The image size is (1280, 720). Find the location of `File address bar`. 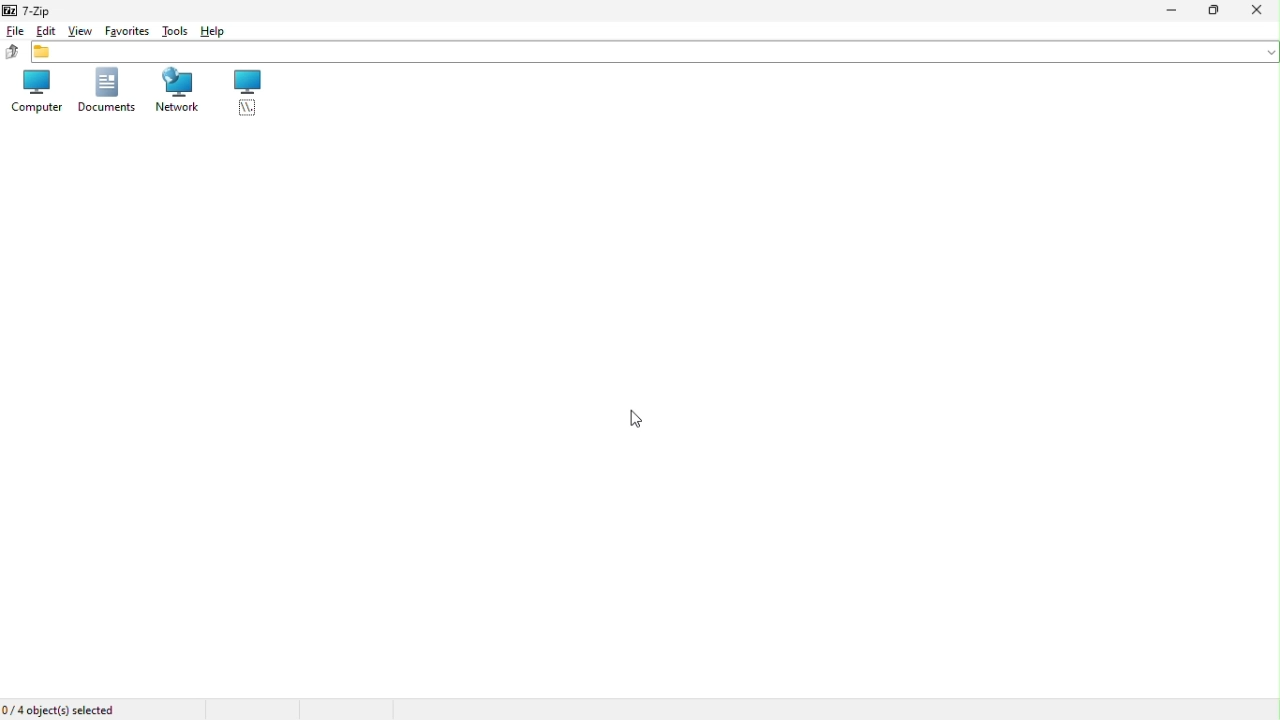

File address bar is located at coordinates (653, 51).